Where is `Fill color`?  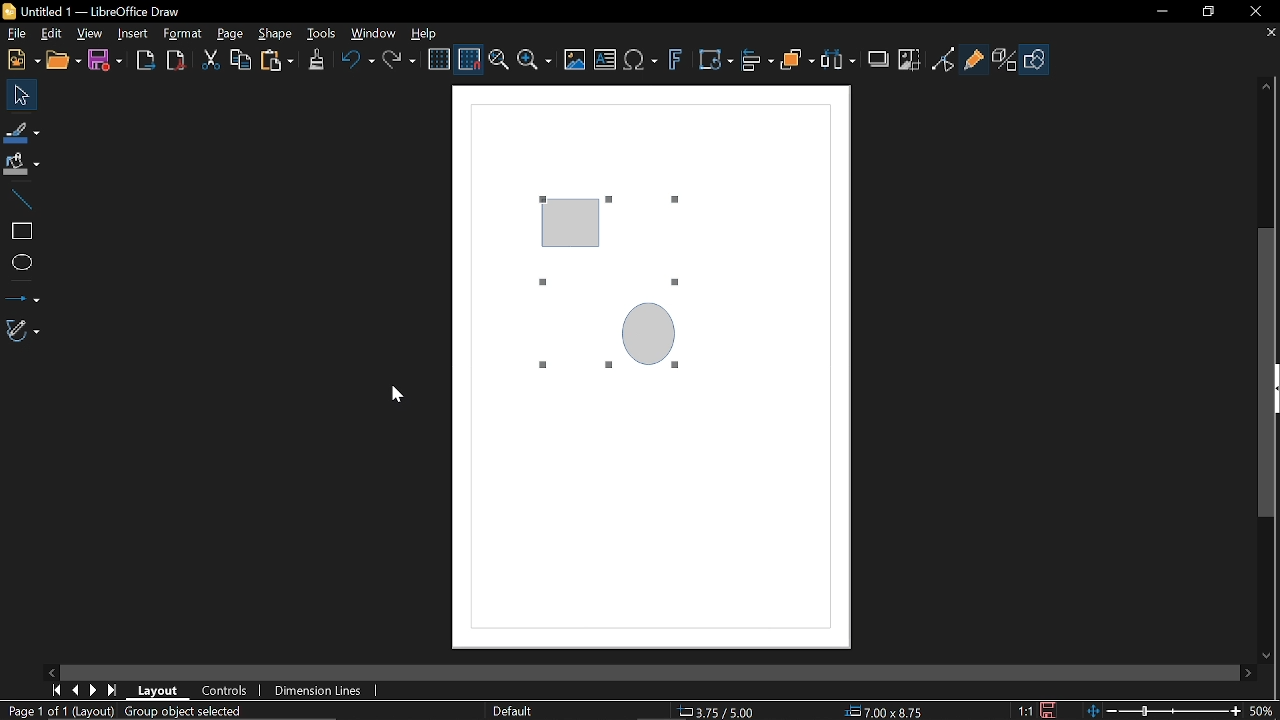 Fill color is located at coordinates (20, 162).